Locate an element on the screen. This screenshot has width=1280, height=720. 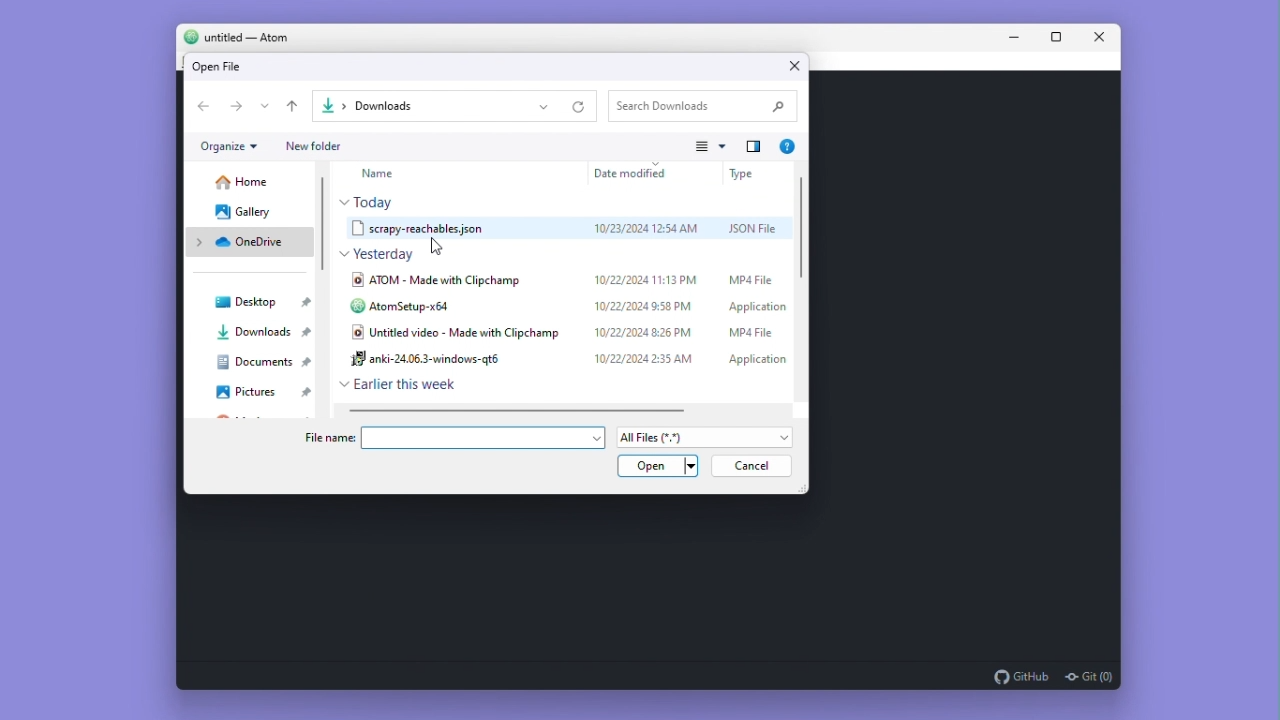
Name  is located at coordinates (377, 173).